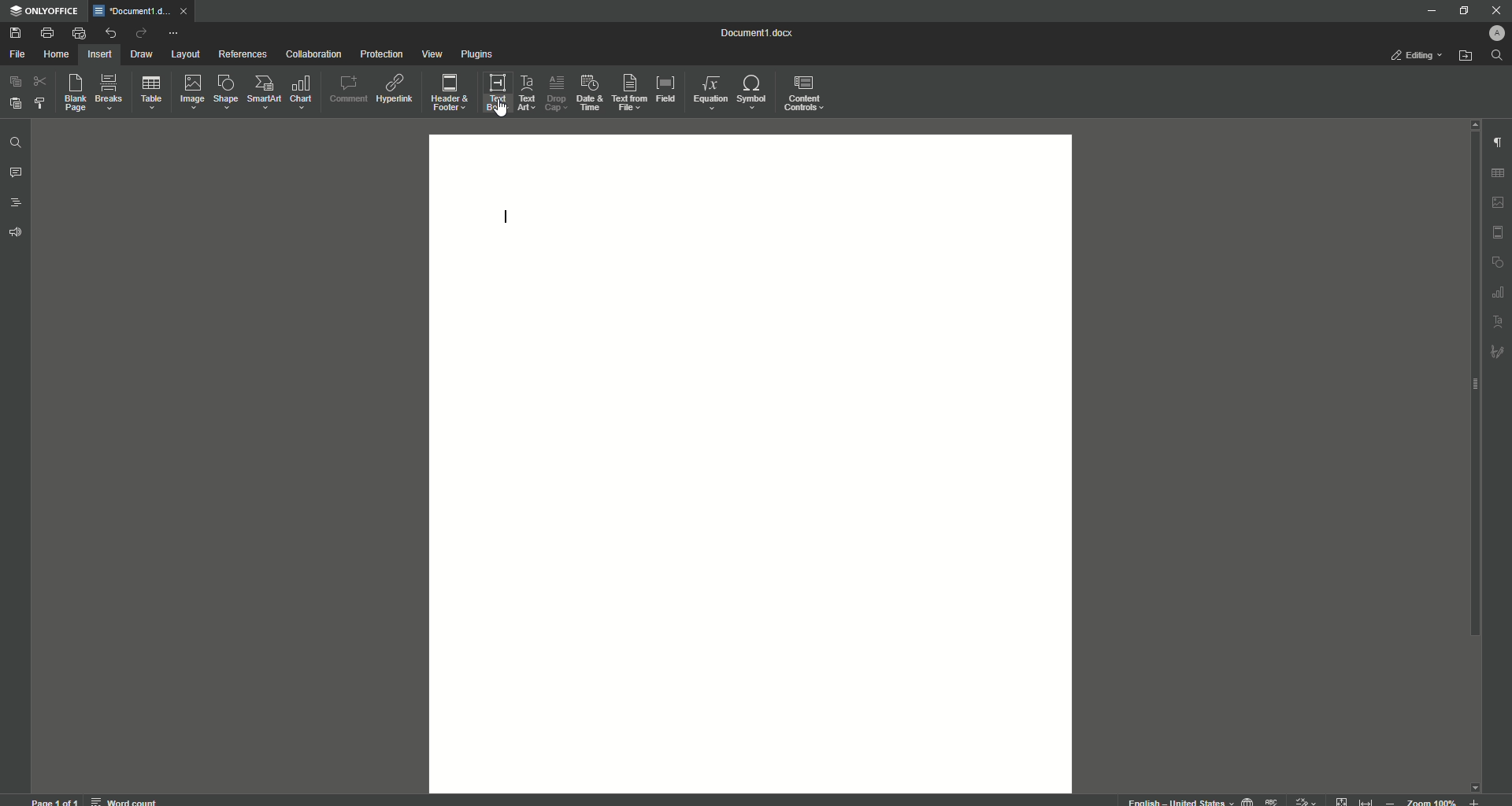 The image size is (1512, 806). Describe the element at coordinates (14, 102) in the screenshot. I see `Paste` at that location.